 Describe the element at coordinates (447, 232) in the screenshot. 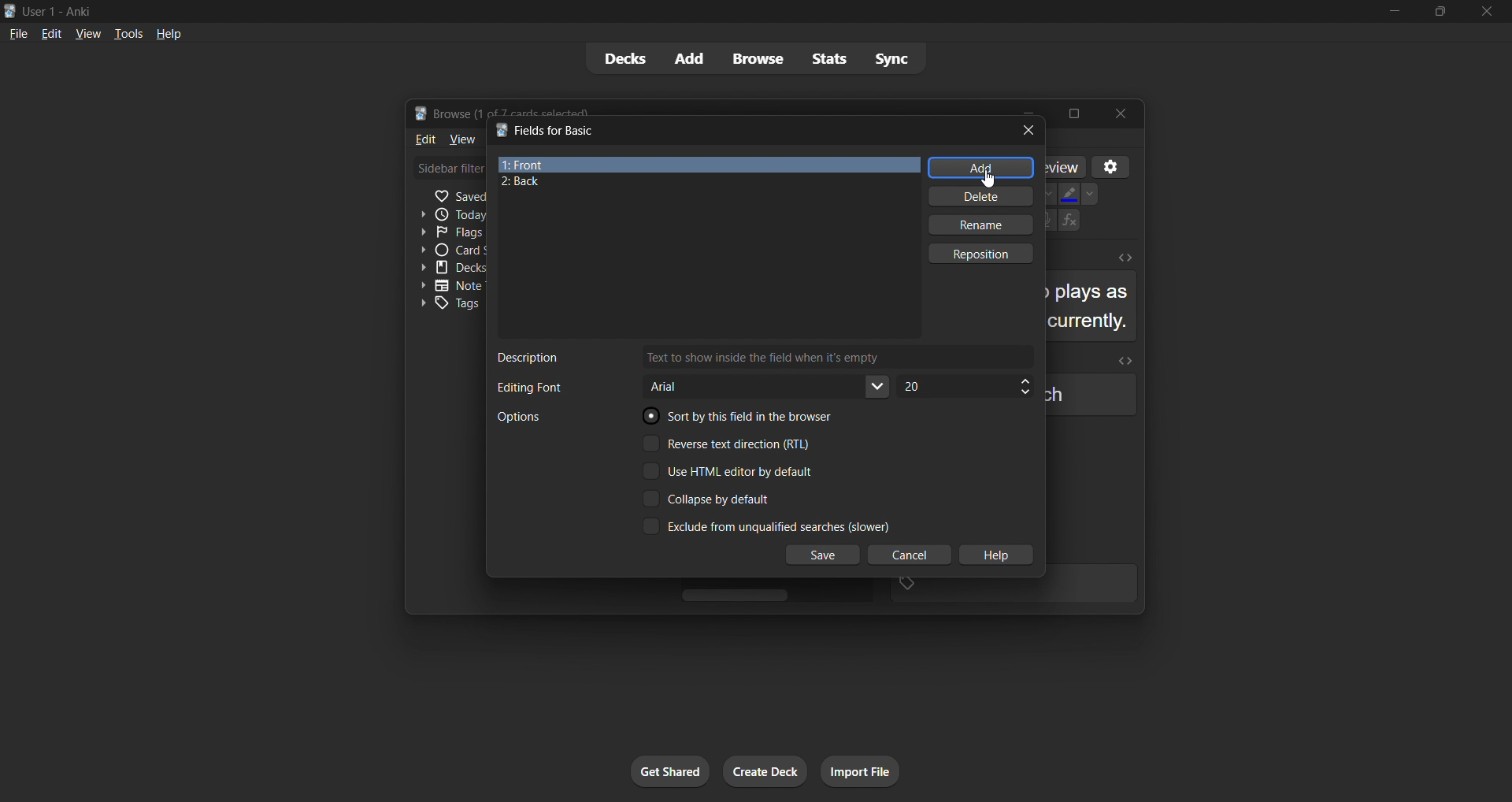

I see `Flags` at that location.